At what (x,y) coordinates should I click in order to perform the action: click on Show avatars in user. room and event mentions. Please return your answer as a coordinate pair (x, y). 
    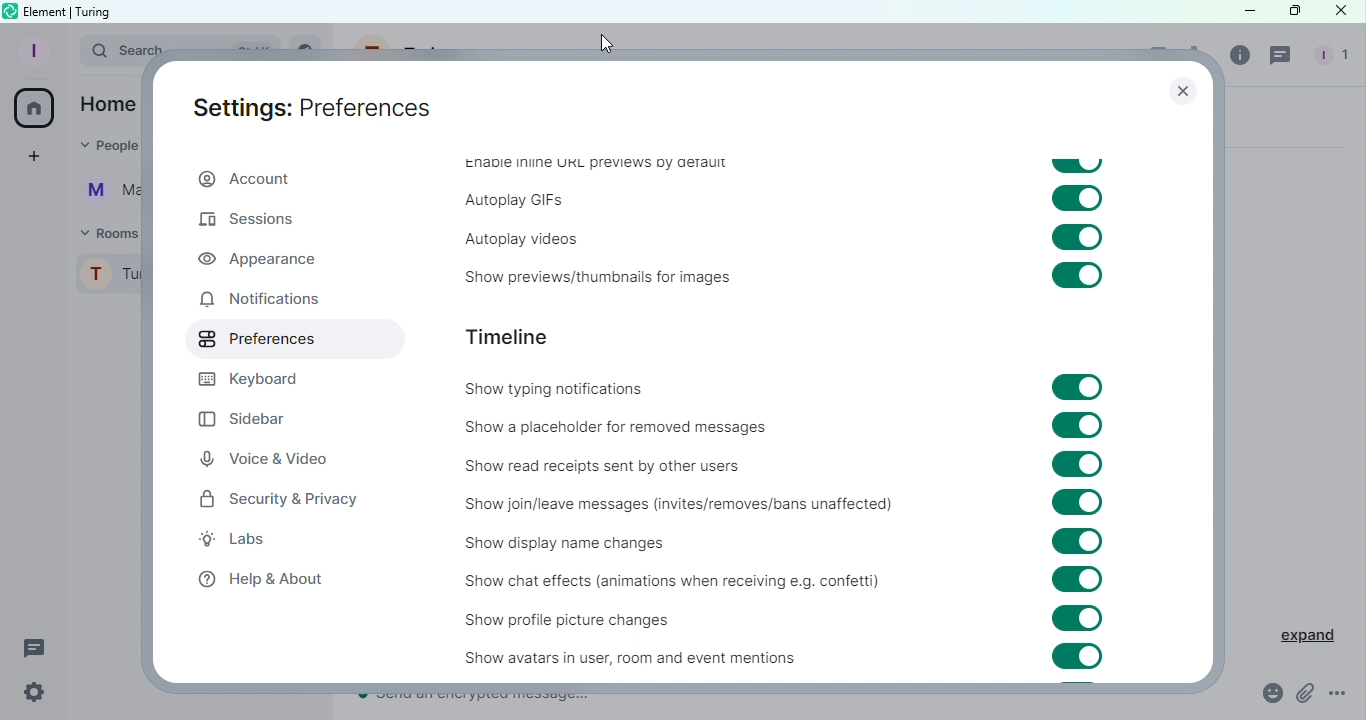
    Looking at the image, I should click on (606, 657).